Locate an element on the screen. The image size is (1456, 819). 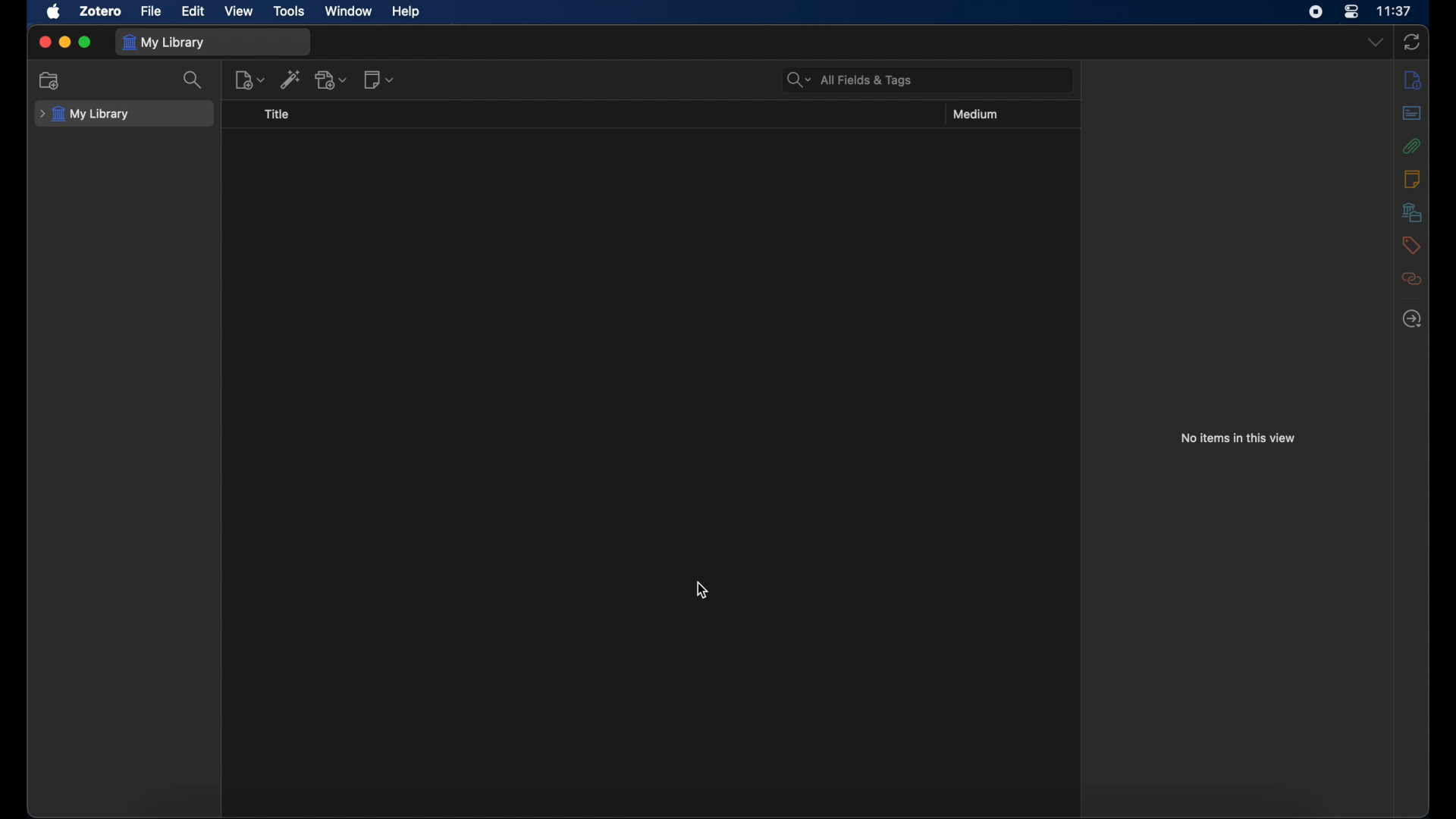
tags is located at coordinates (1411, 245).